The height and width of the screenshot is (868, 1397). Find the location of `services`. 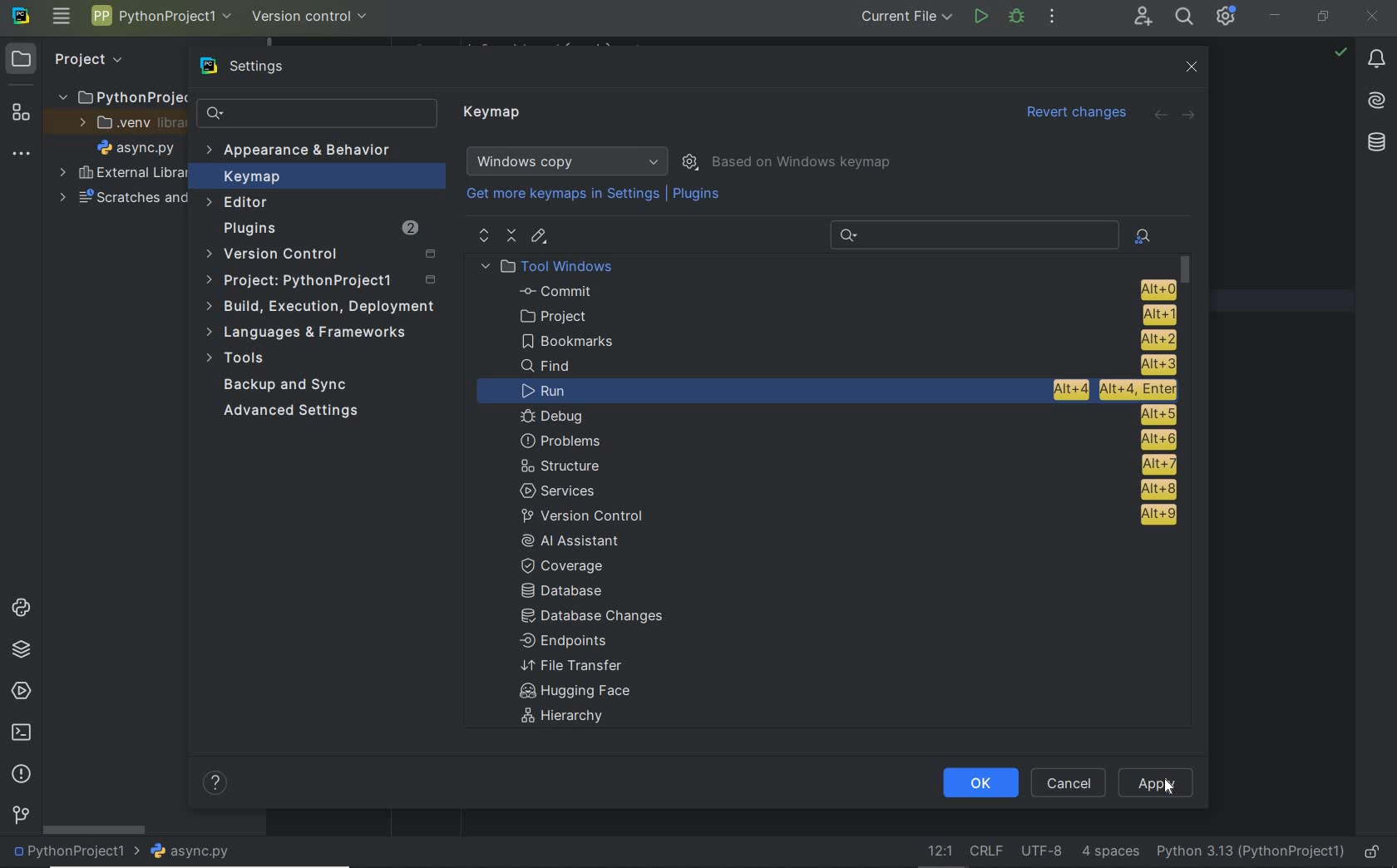

services is located at coordinates (846, 489).